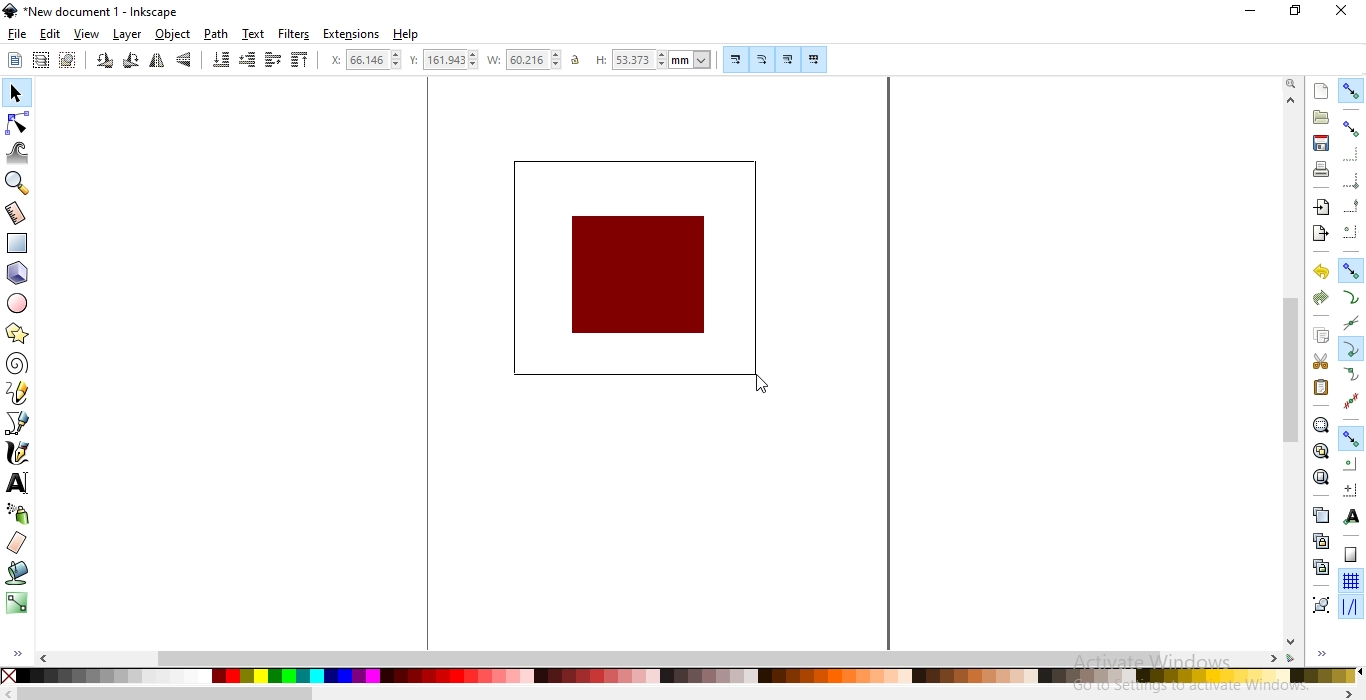 This screenshot has height=700, width=1366. Describe the element at coordinates (129, 63) in the screenshot. I see `rotate 90 clockwiise` at that location.